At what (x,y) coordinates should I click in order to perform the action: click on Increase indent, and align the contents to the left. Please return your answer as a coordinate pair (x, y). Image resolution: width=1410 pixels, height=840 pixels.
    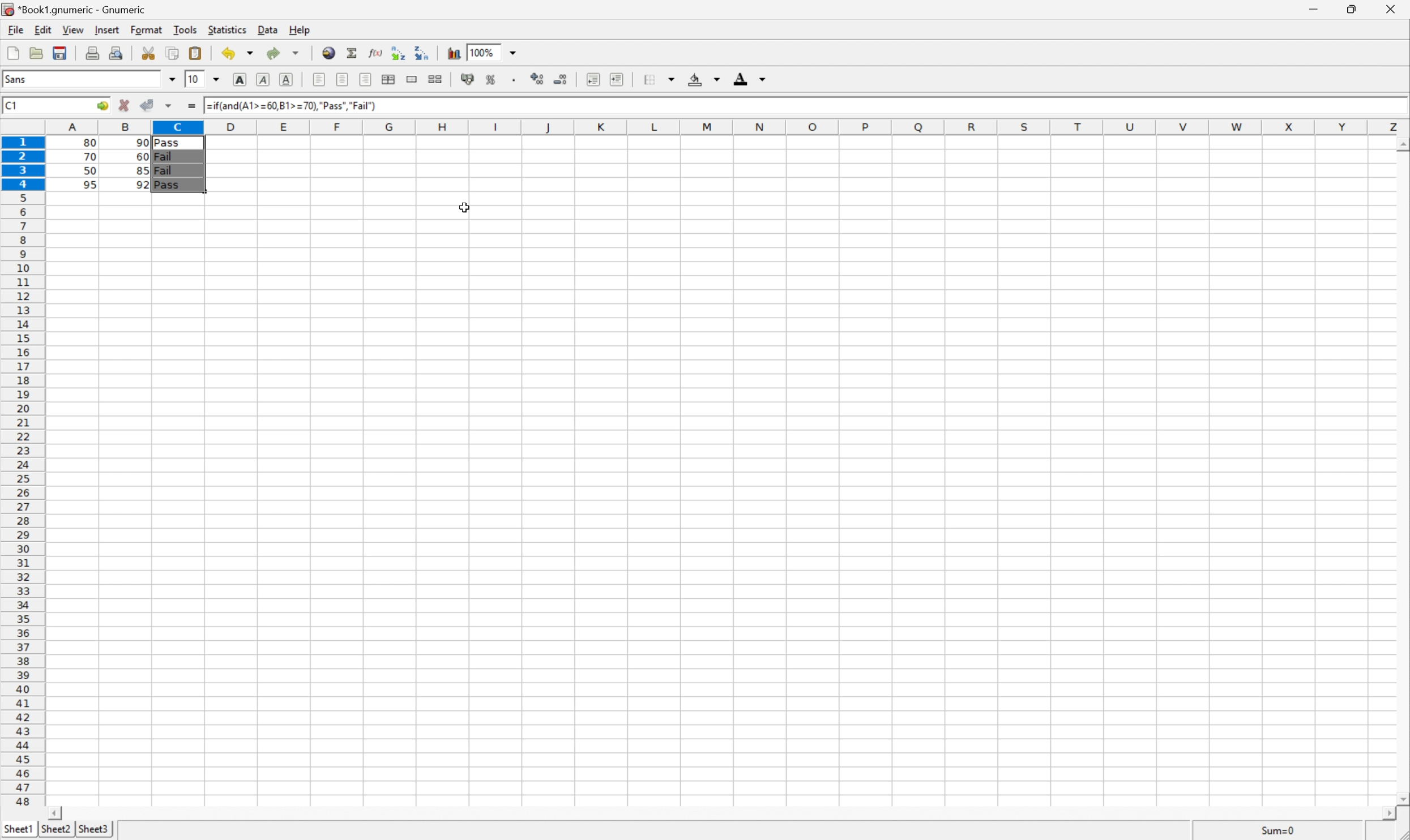
    Looking at the image, I should click on (619, 78).